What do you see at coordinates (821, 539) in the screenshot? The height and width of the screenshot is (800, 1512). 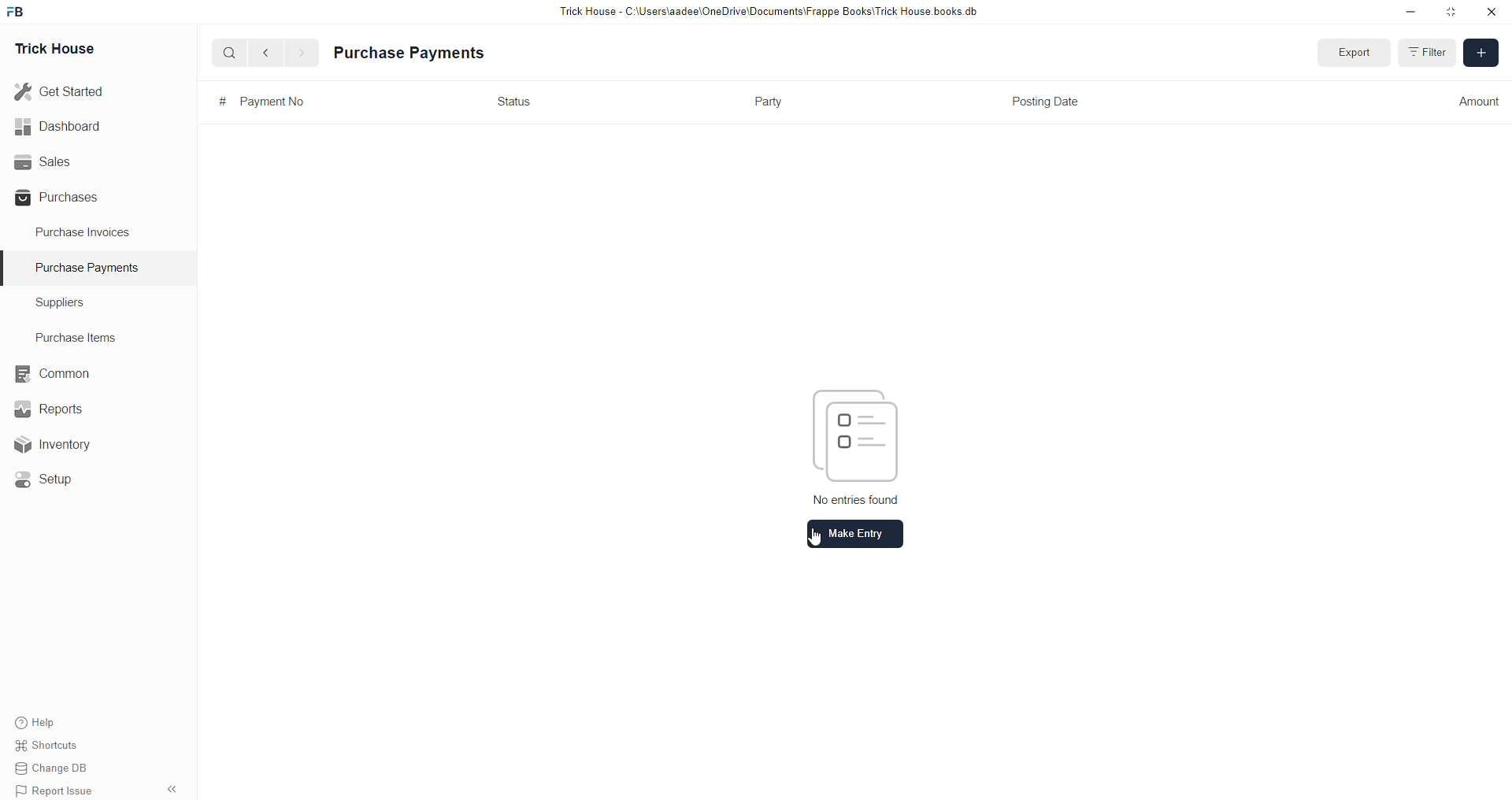 I see `cursor` at bounding box center [821, 539].